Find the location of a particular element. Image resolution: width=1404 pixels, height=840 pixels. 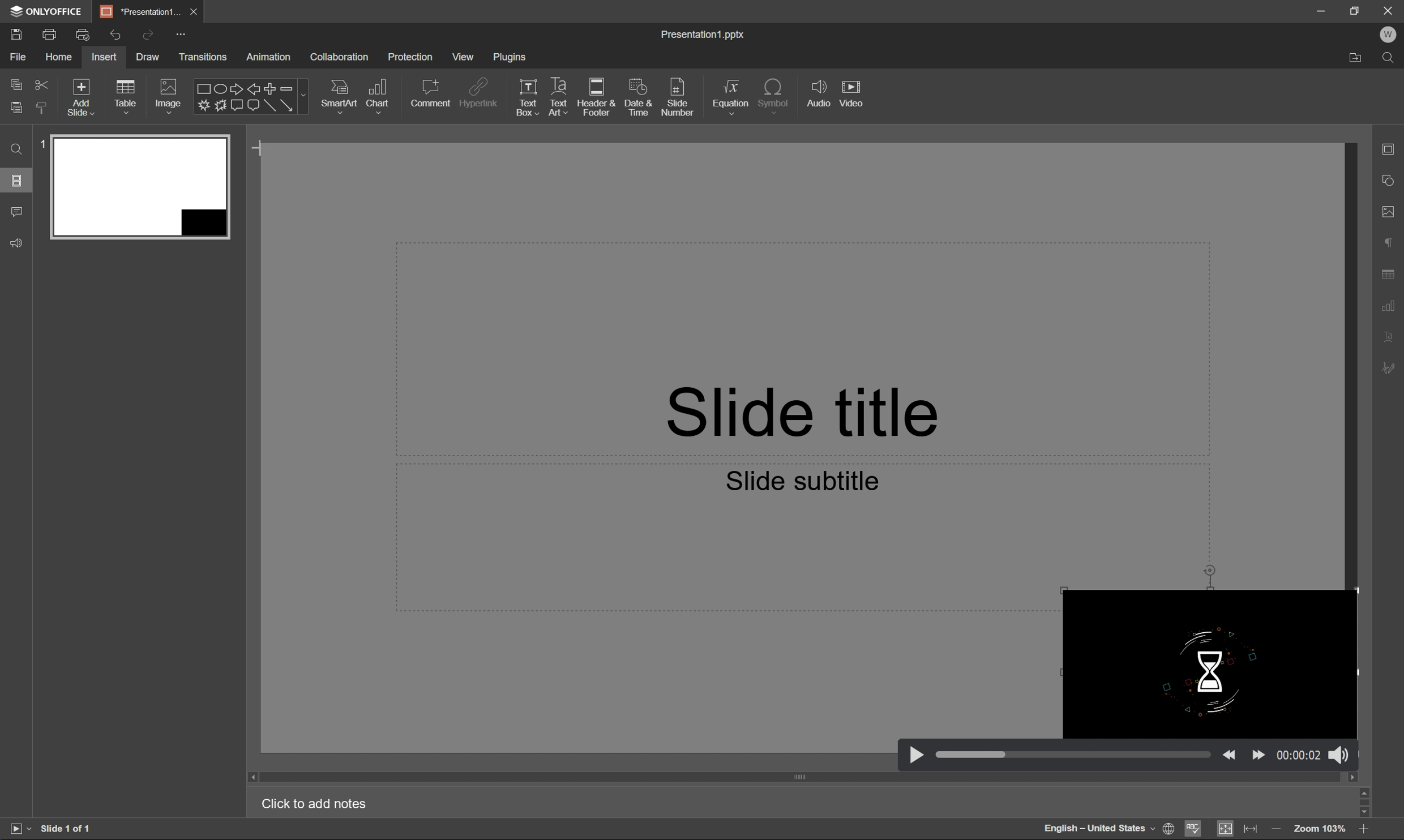

Find is located at coordinates (1391, 59).